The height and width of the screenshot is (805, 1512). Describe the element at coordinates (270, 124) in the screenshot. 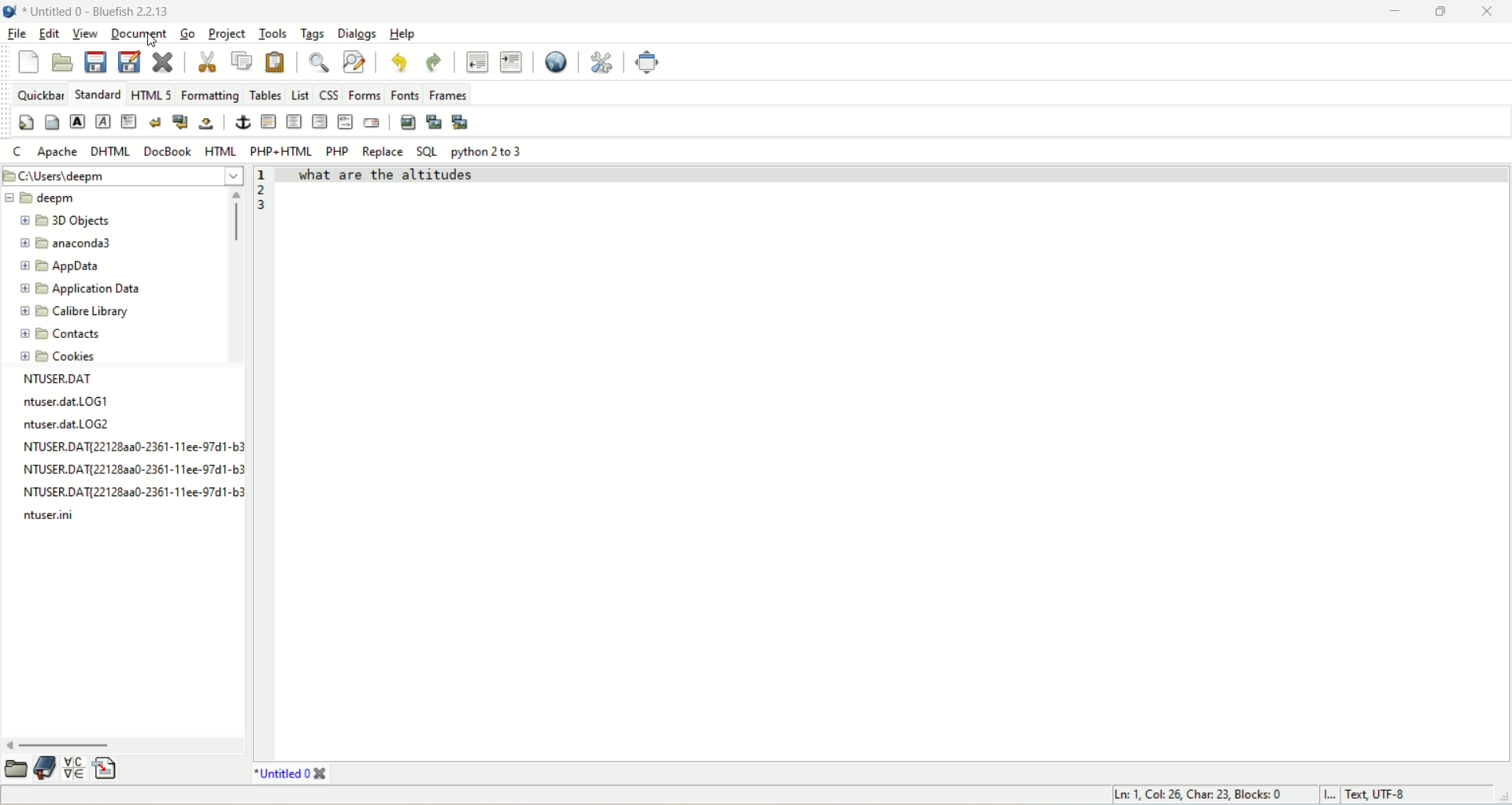

I see `horizontal rule` at that location.